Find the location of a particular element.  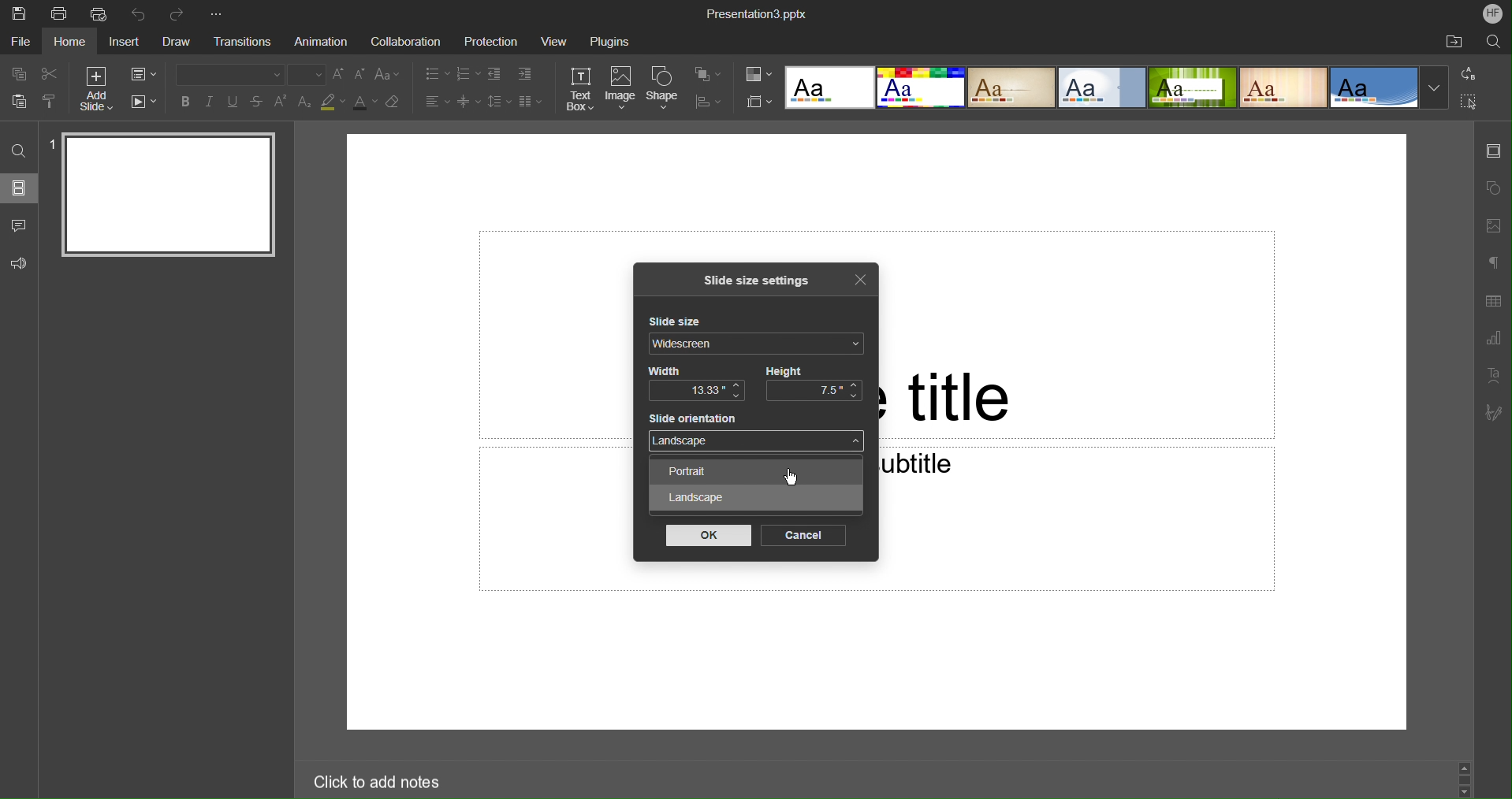

Slide Settings is located at coordinates (1492, 155).